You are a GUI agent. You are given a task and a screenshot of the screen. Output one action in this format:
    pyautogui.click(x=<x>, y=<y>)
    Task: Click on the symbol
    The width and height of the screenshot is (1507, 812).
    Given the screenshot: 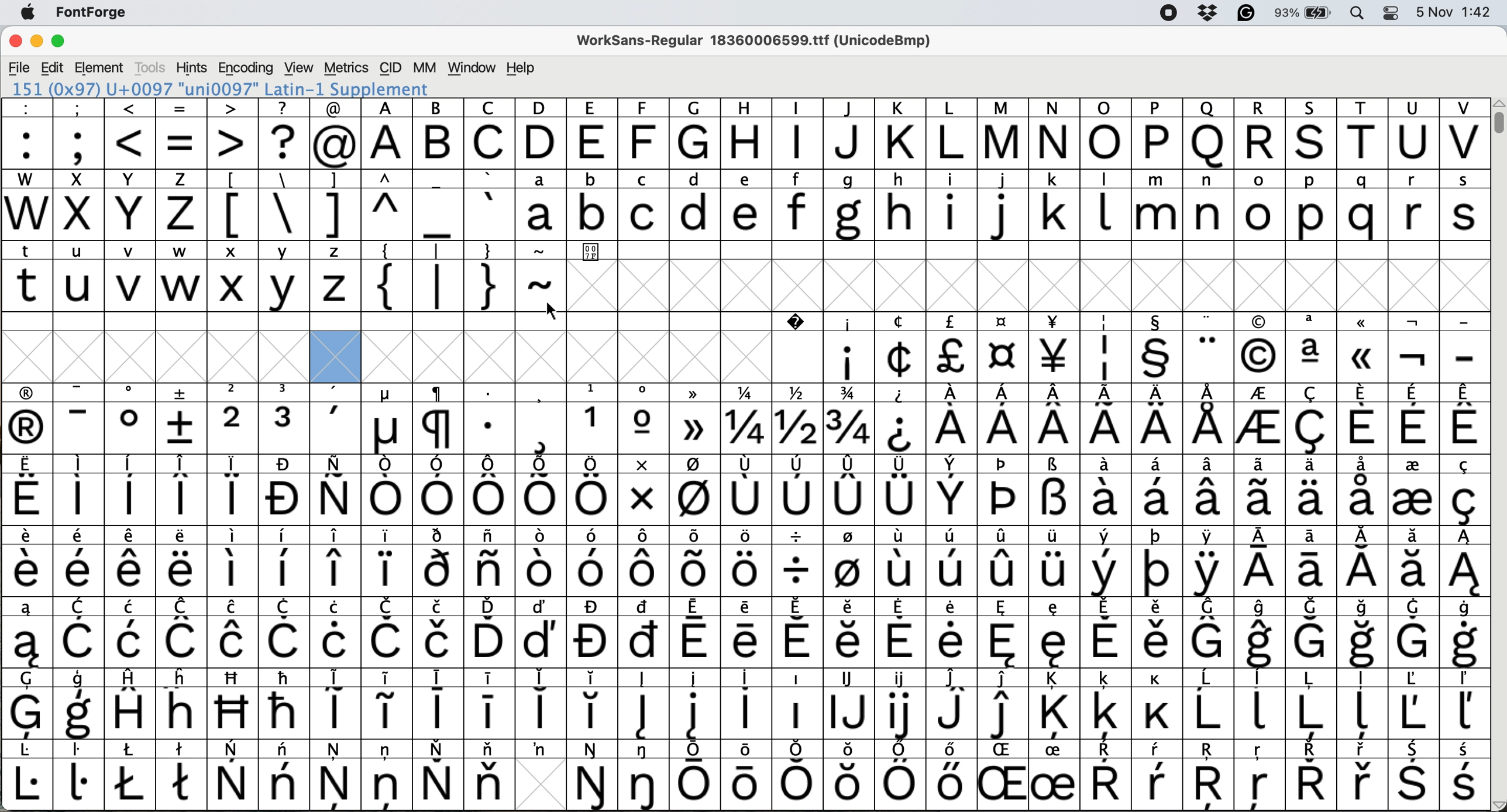 What is the action you would take?
    pyautogui.click(x=1004, y=419)
    